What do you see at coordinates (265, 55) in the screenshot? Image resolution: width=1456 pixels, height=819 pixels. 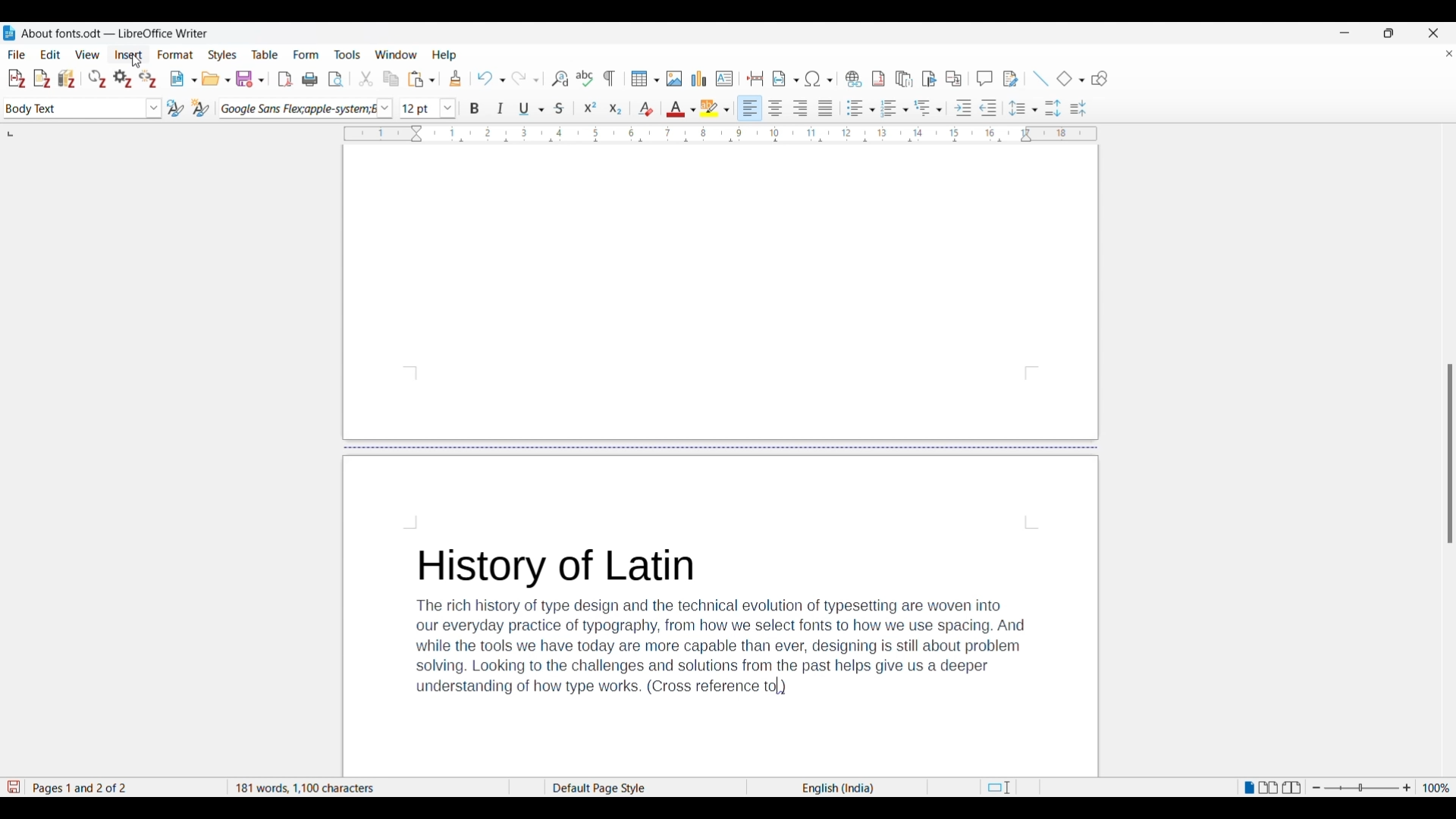 I see `Table menu` at bounding box center [265, 55].